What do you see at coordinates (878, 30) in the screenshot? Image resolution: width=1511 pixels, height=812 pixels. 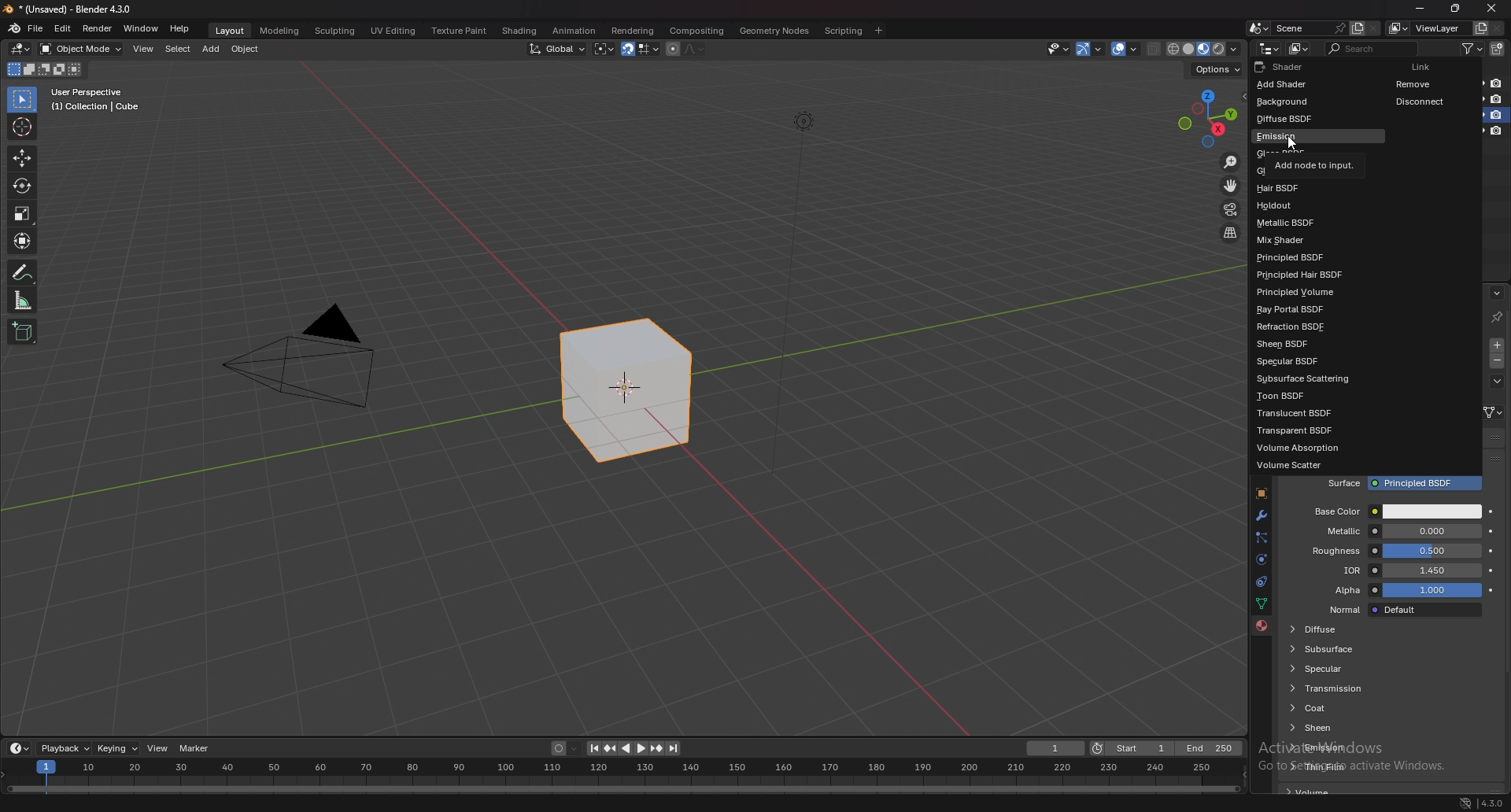 I see `add workspace` at bounding box center [878, 30].